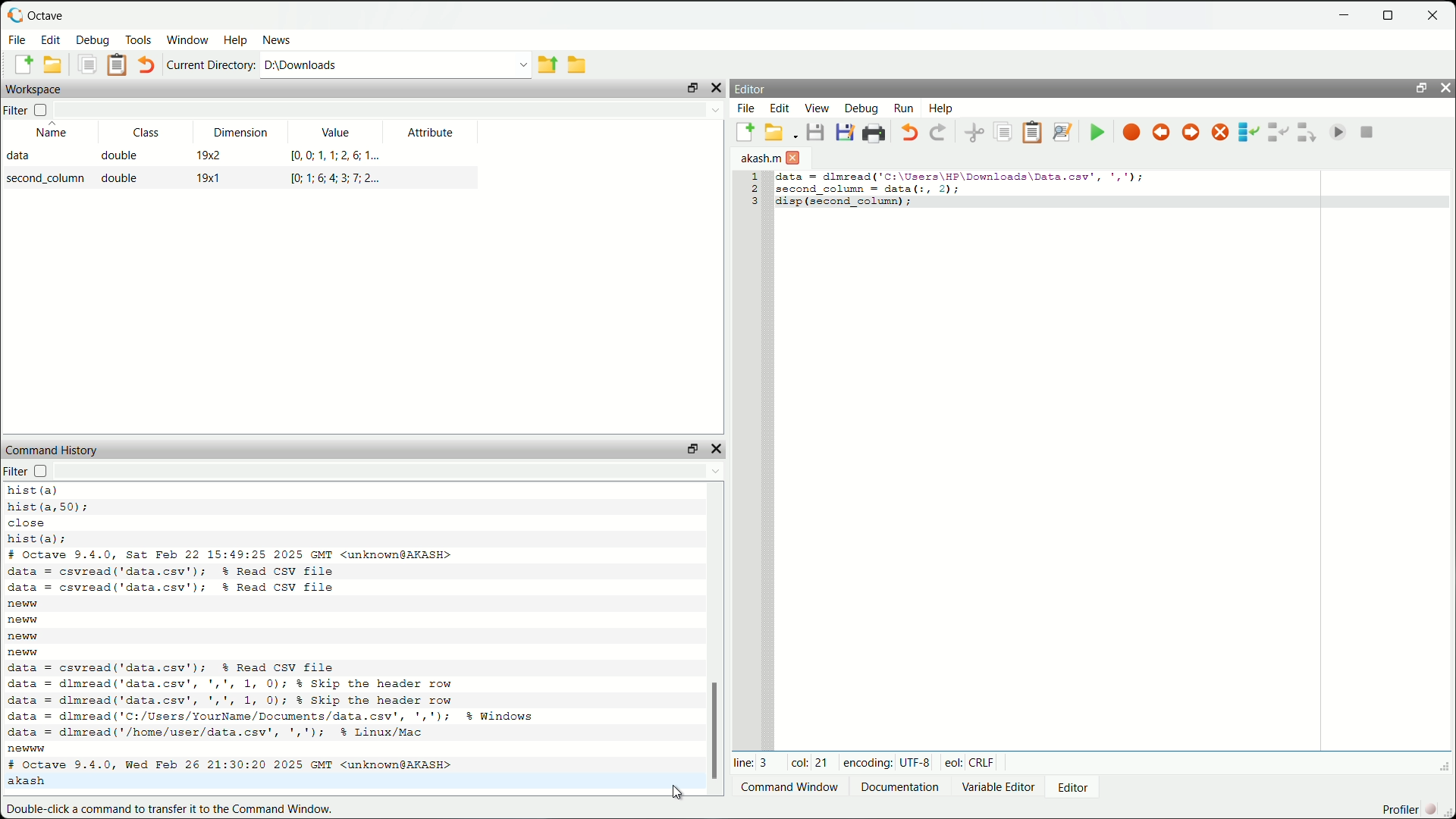  Describe the element at coordinates (65, 12) in the screenshot. I see `octave` at that location.